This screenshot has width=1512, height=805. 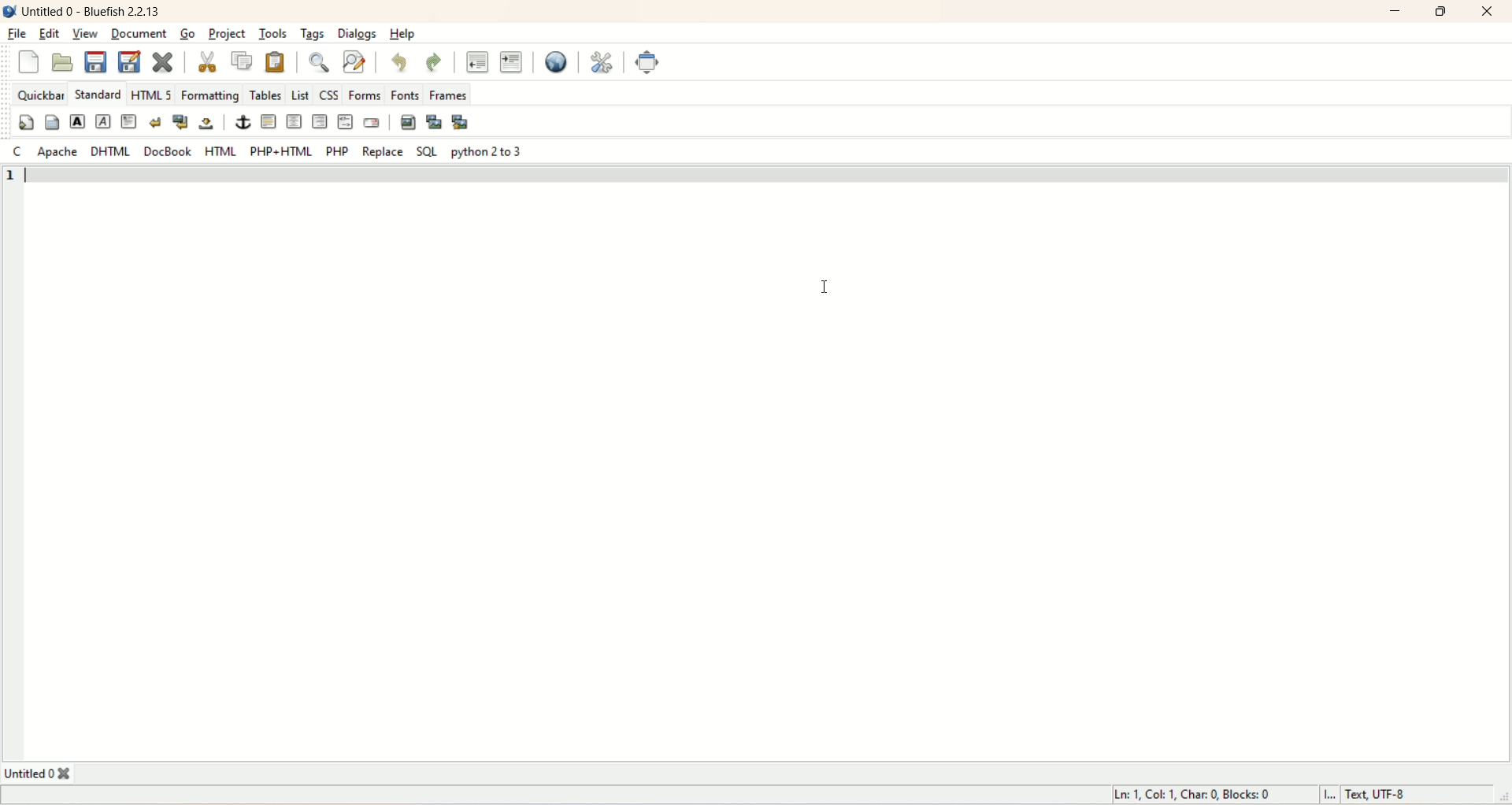 What do you see at coordinates (476, 61) in the screenshot?
I see `unindent` at bounding box center [476, 61].